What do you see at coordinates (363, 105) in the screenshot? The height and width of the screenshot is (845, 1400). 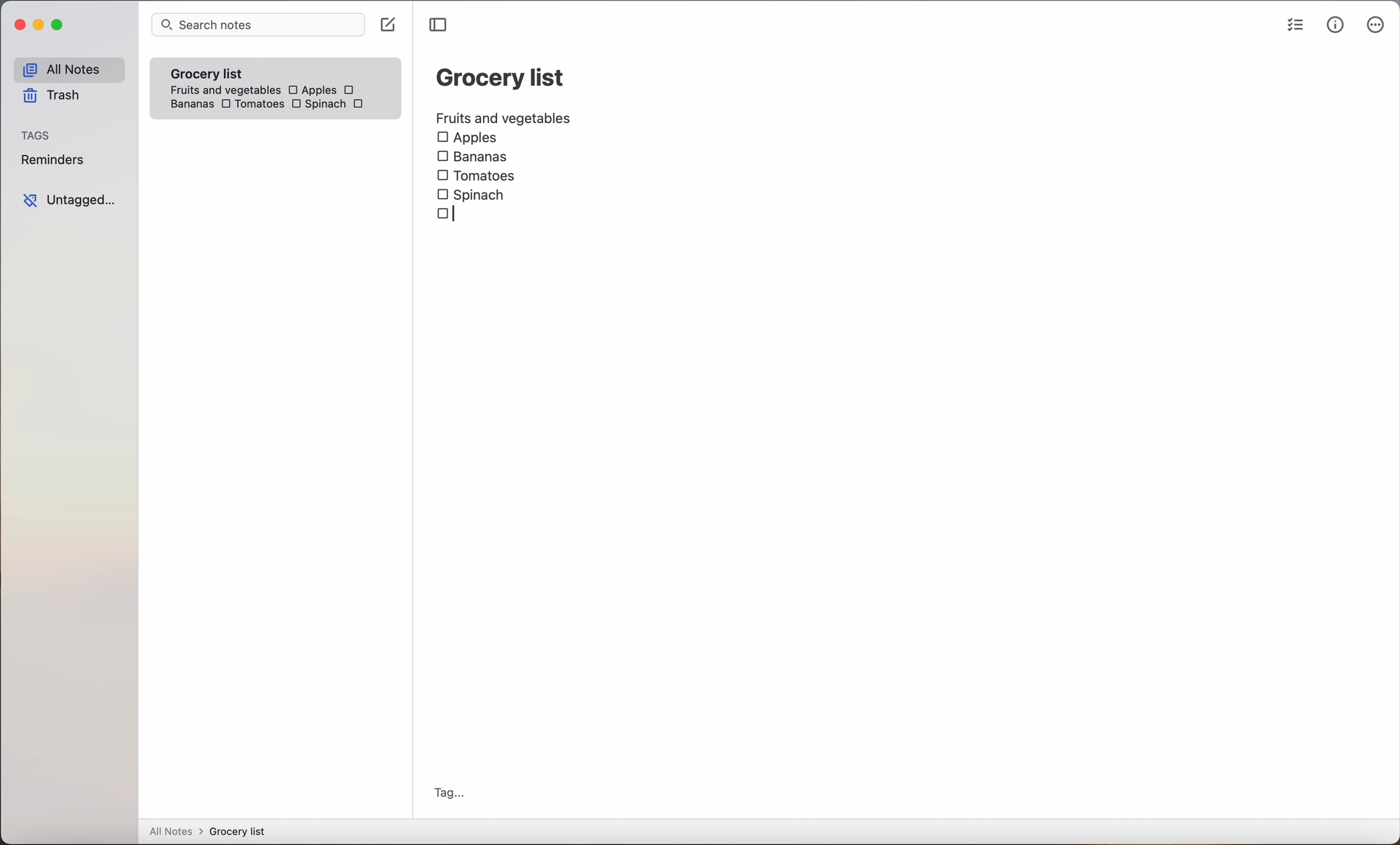 I see `checkbox` at bounding box center [363, 105].